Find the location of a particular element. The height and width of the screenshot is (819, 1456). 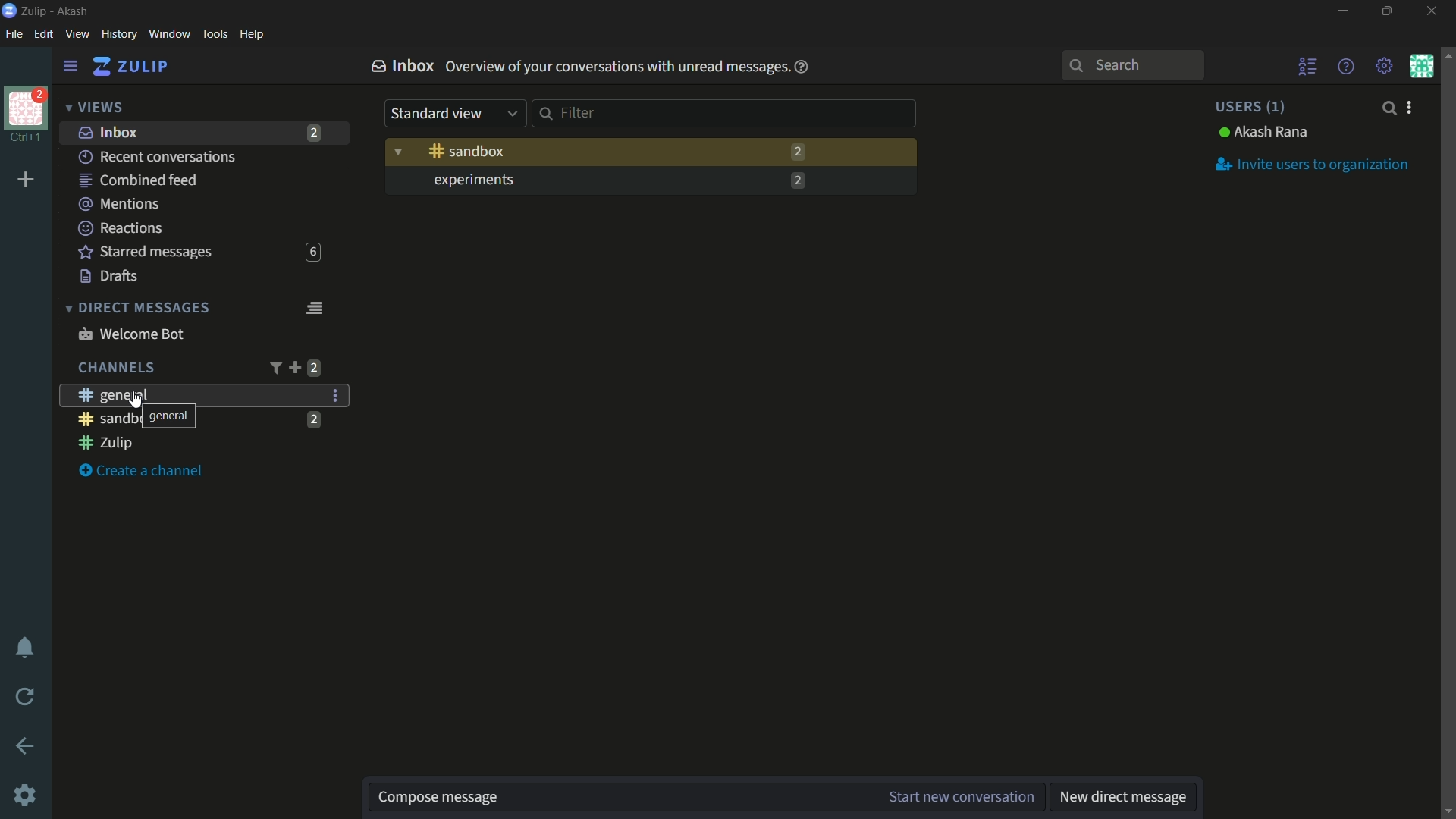

add channel is located at coordinates (294, 367).